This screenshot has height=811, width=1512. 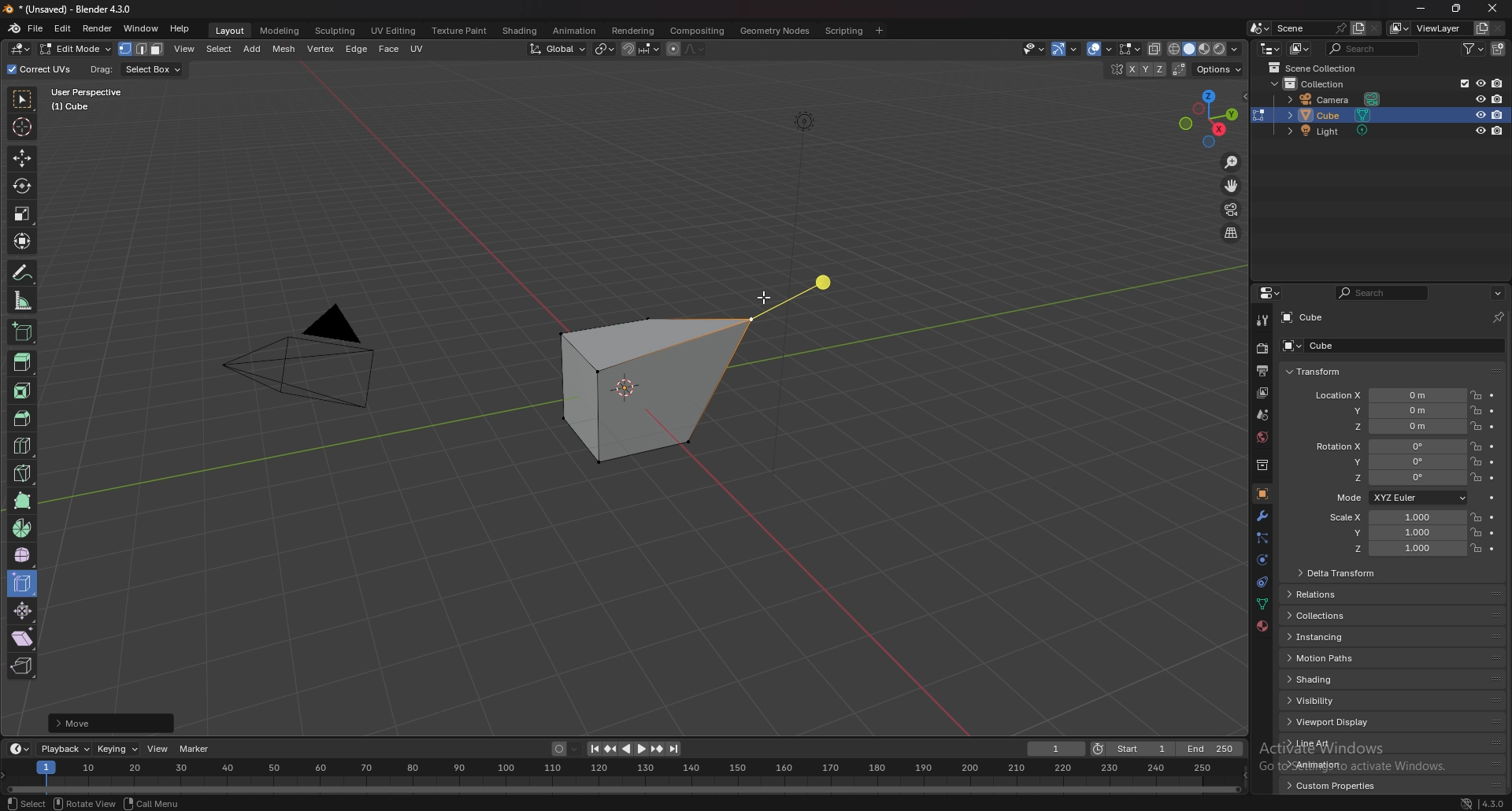 I want to click on transform, so click(x=1316, y=371).